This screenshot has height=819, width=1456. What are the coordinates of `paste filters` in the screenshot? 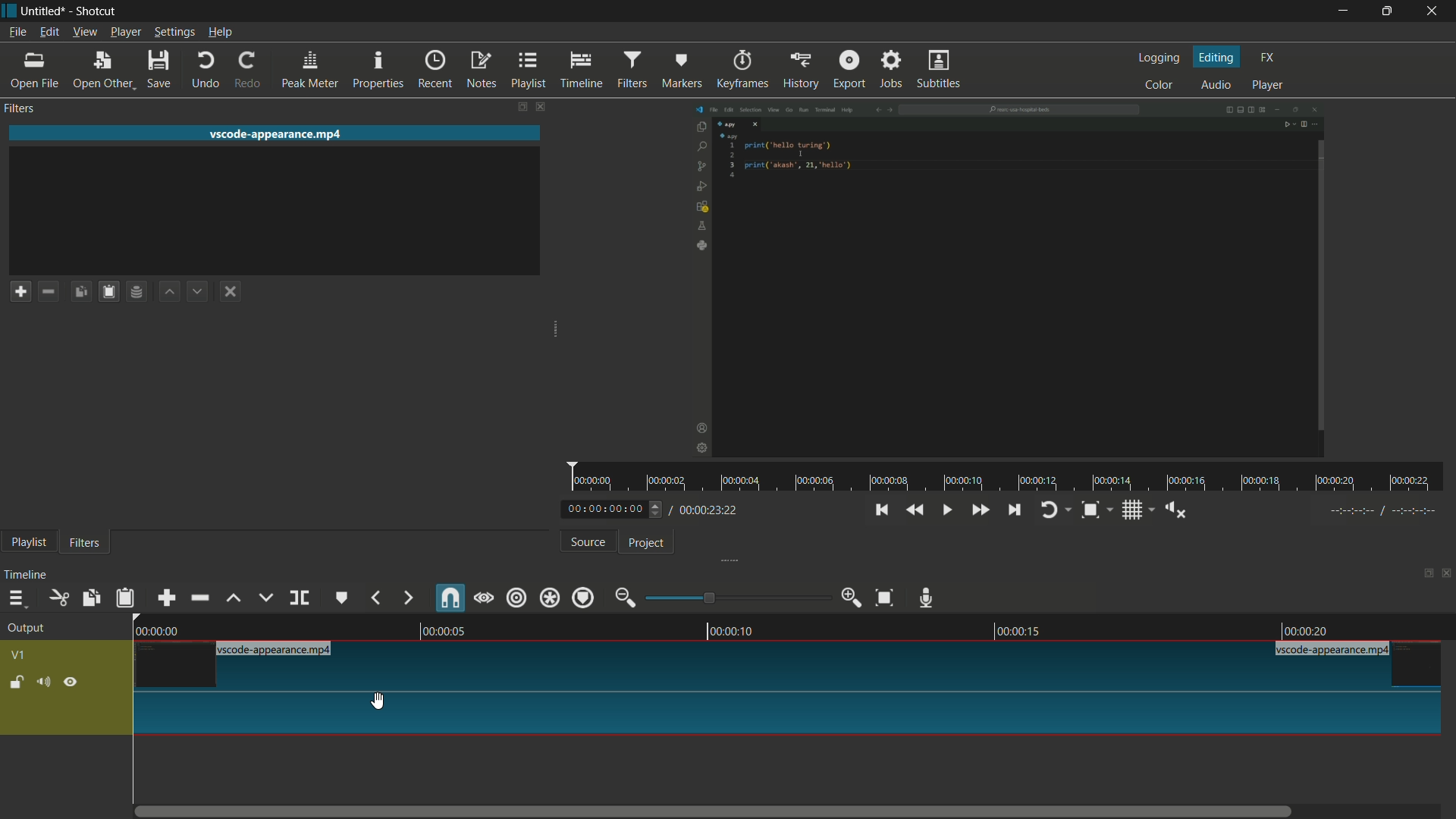 It's located at (108, 291).